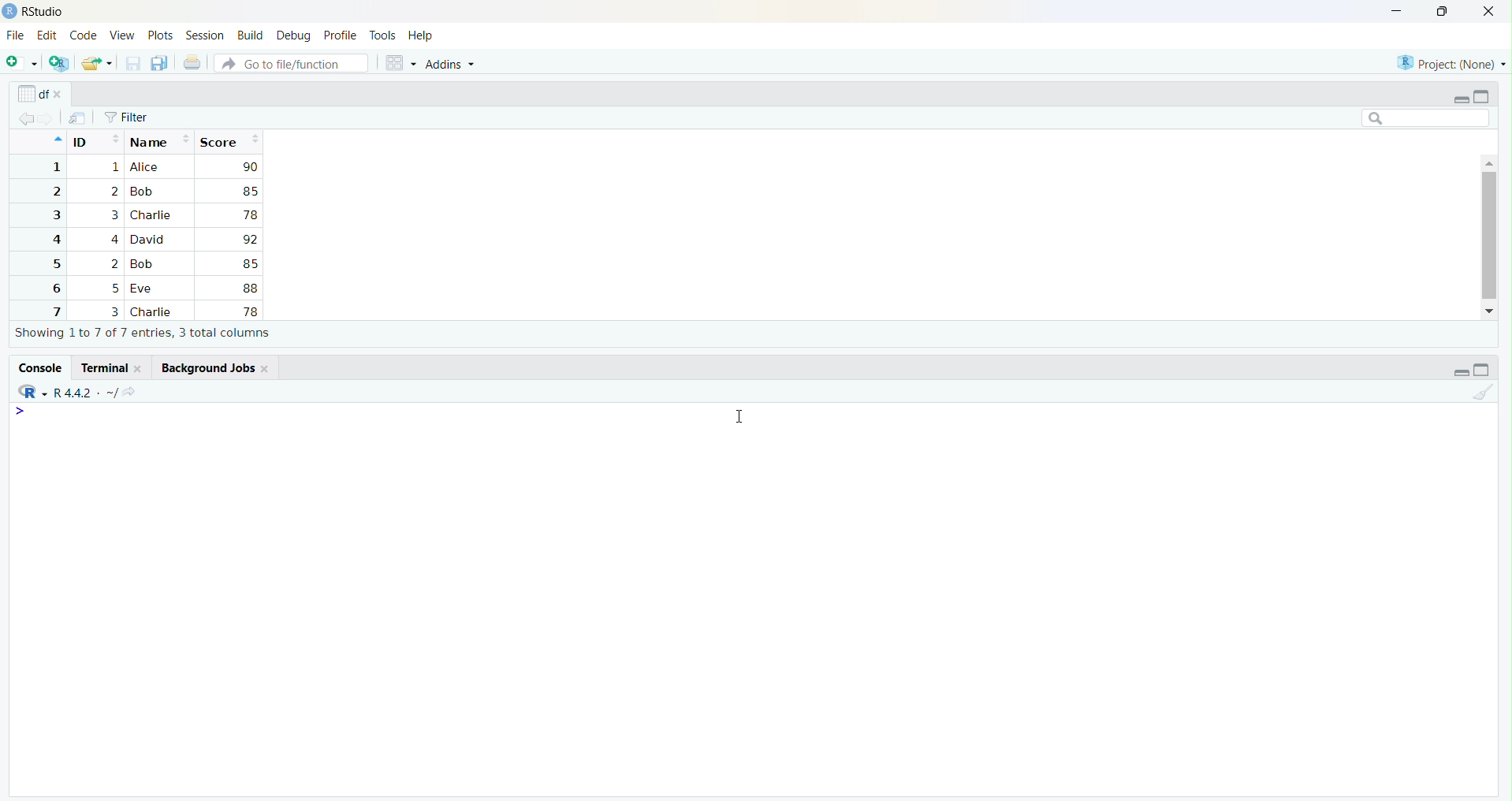  Describe the element at coordinates (1396, 13) in the screenshot. I see `minimize` at that location.